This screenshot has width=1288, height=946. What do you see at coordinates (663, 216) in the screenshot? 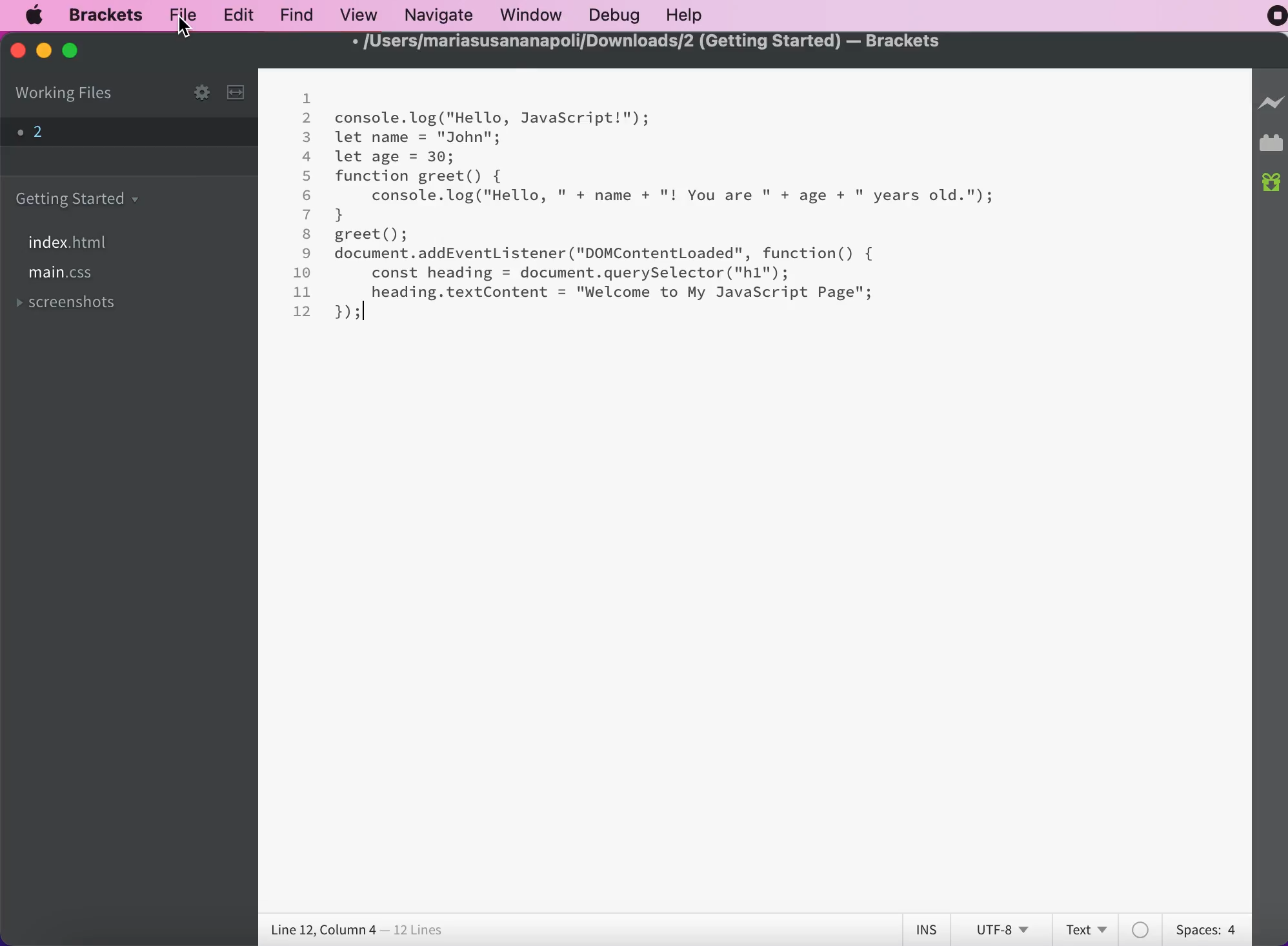
I see `console.log("Hello, JavaScript!");let name = "John";let age = 30;function greet() {console.log("Hello, " + name + "! You are " + age + " years old.");}greet ();document.addEventListener ("DOMContentLoaded", function() {const heading = document.querySelector("h1");| heading textcontent = "Welcome to My JavaScript Page"; });` at bounding box center [663, 216].